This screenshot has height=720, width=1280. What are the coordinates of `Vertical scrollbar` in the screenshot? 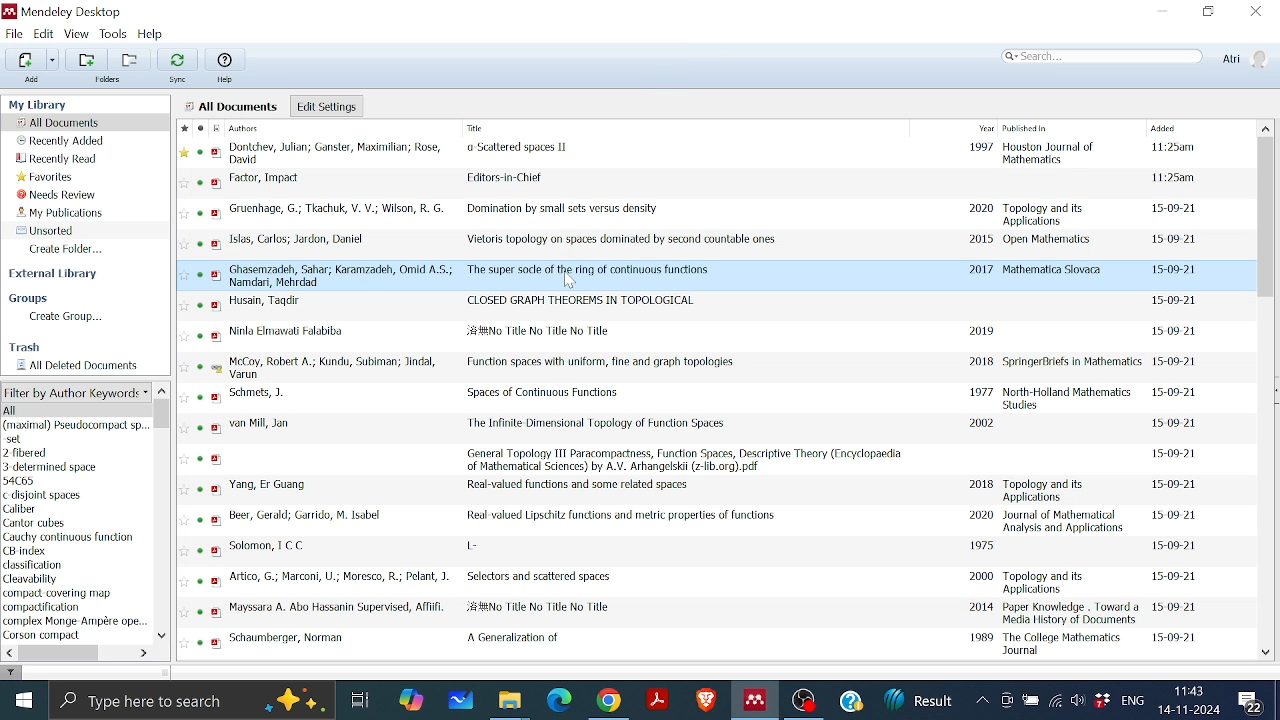 It's located at (1266, 218).